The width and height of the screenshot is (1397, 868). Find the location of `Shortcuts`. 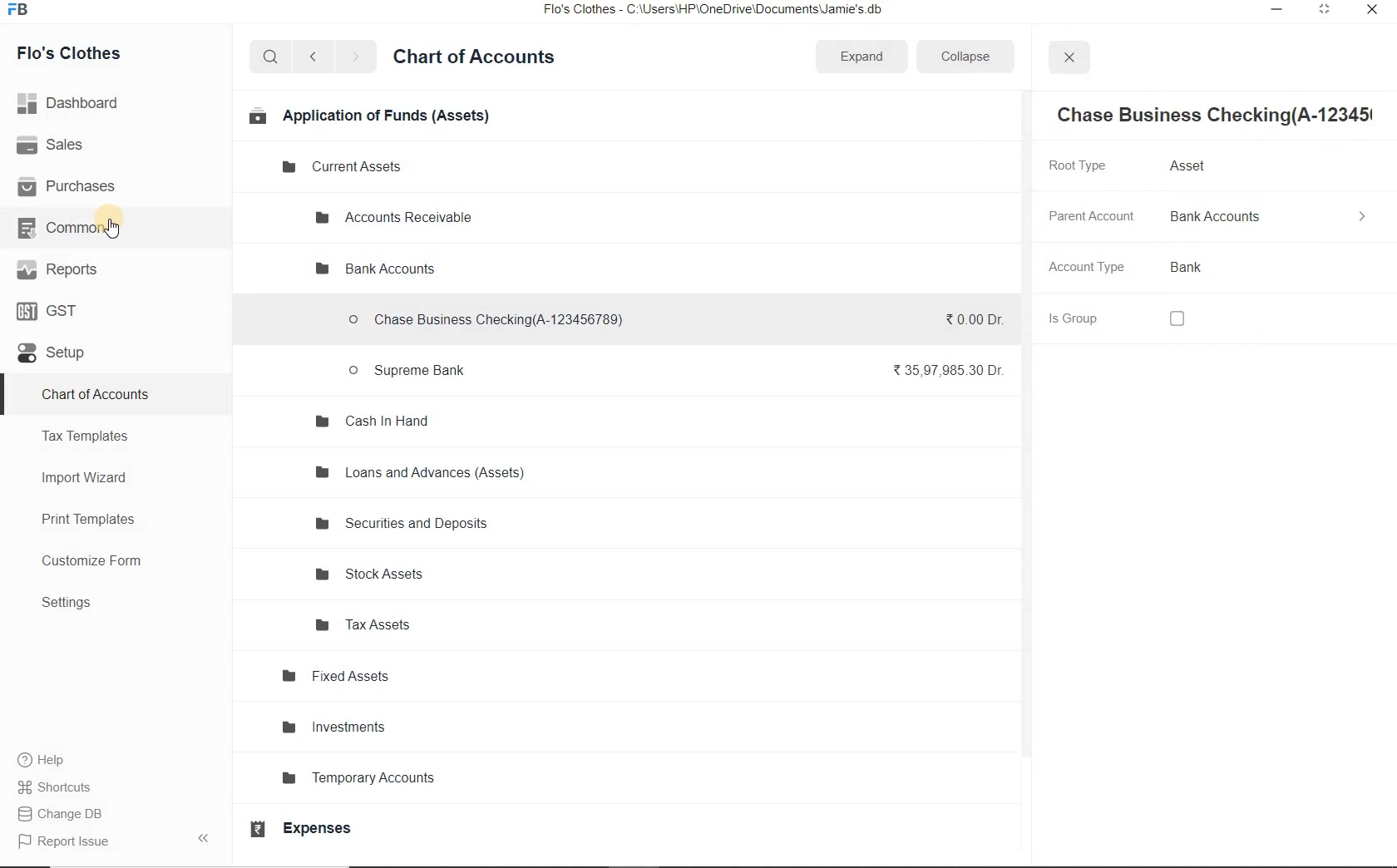

Shortcuts is located at coordinates (55, 784).